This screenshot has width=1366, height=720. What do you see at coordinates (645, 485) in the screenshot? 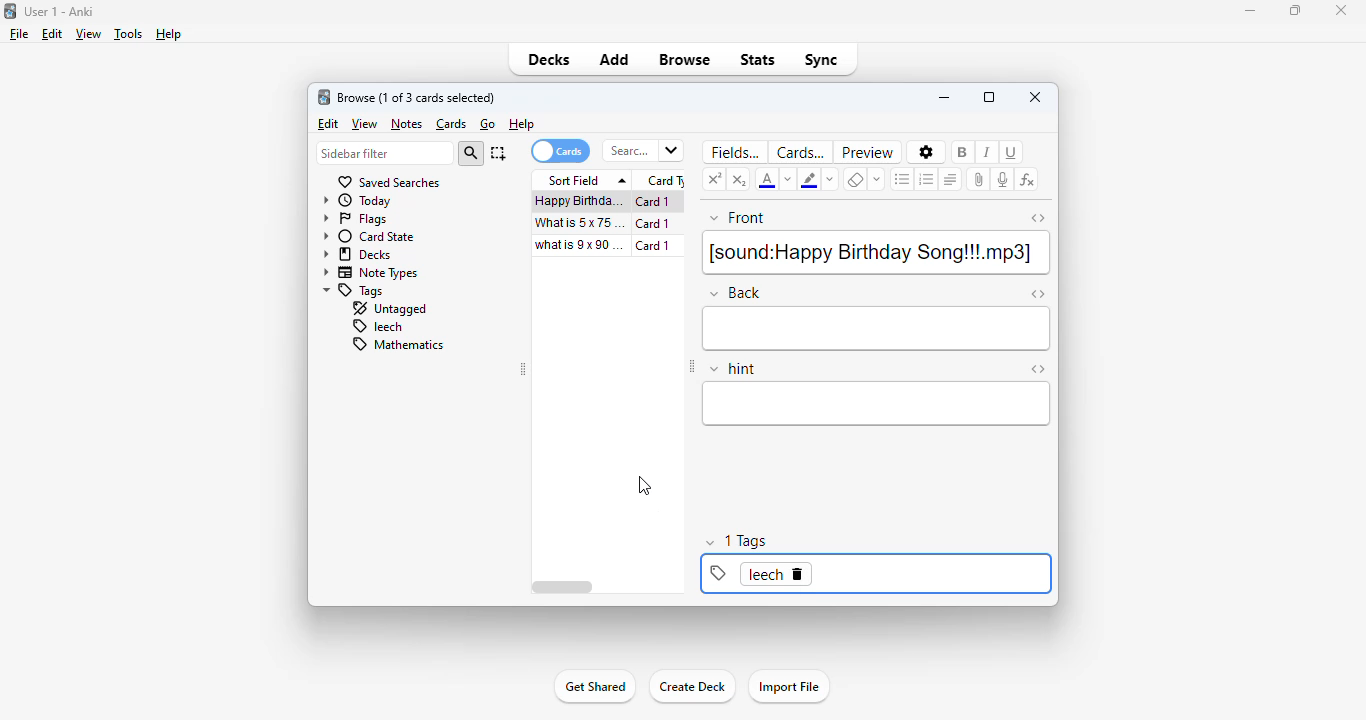
I see `cursor` at bounding box center [645, 485].